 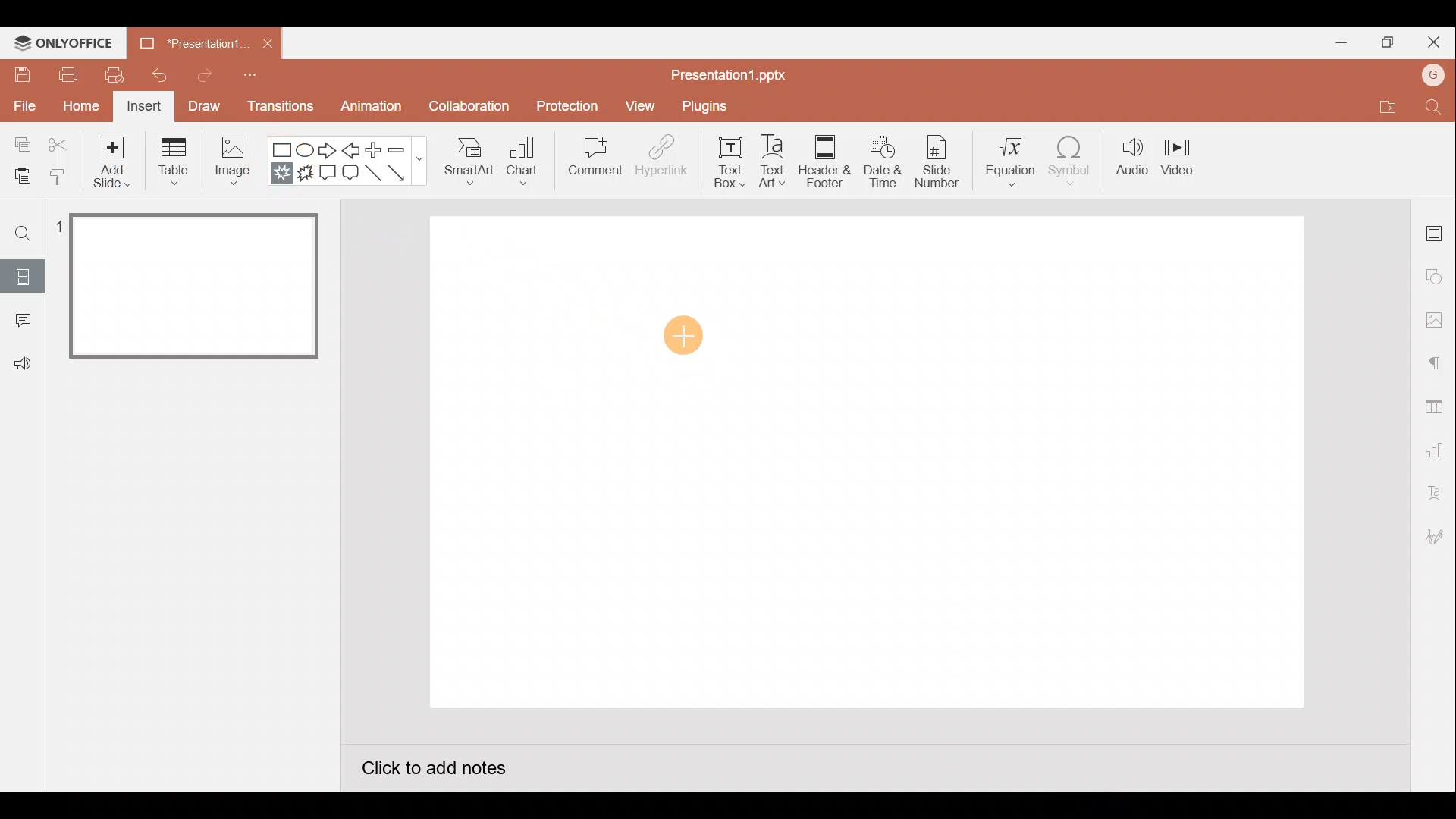 I want to click on Feedback & support, so click(x=22, y=365).